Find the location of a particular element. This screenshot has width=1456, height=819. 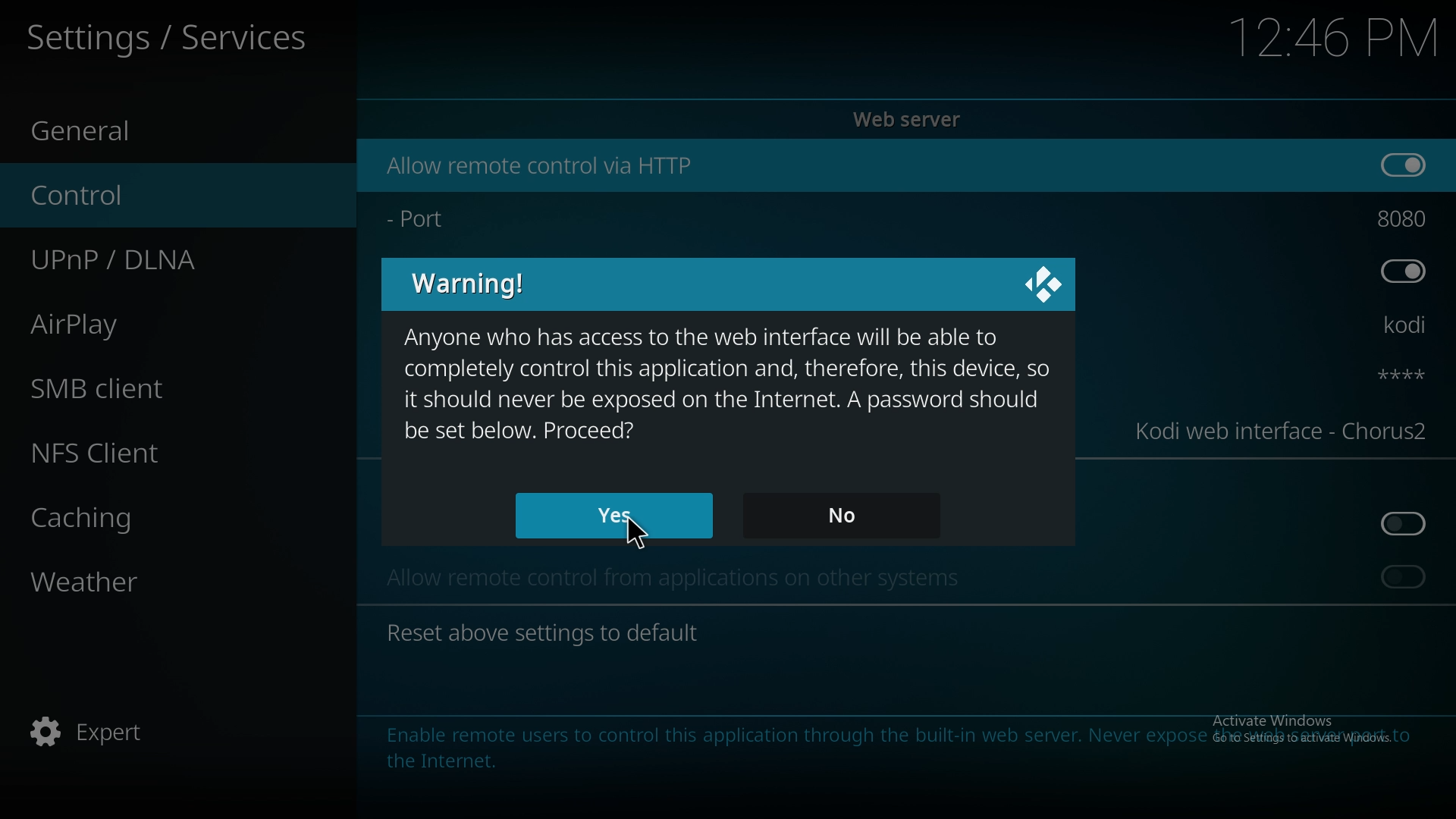

smb client is located at coordinates (132, 383).